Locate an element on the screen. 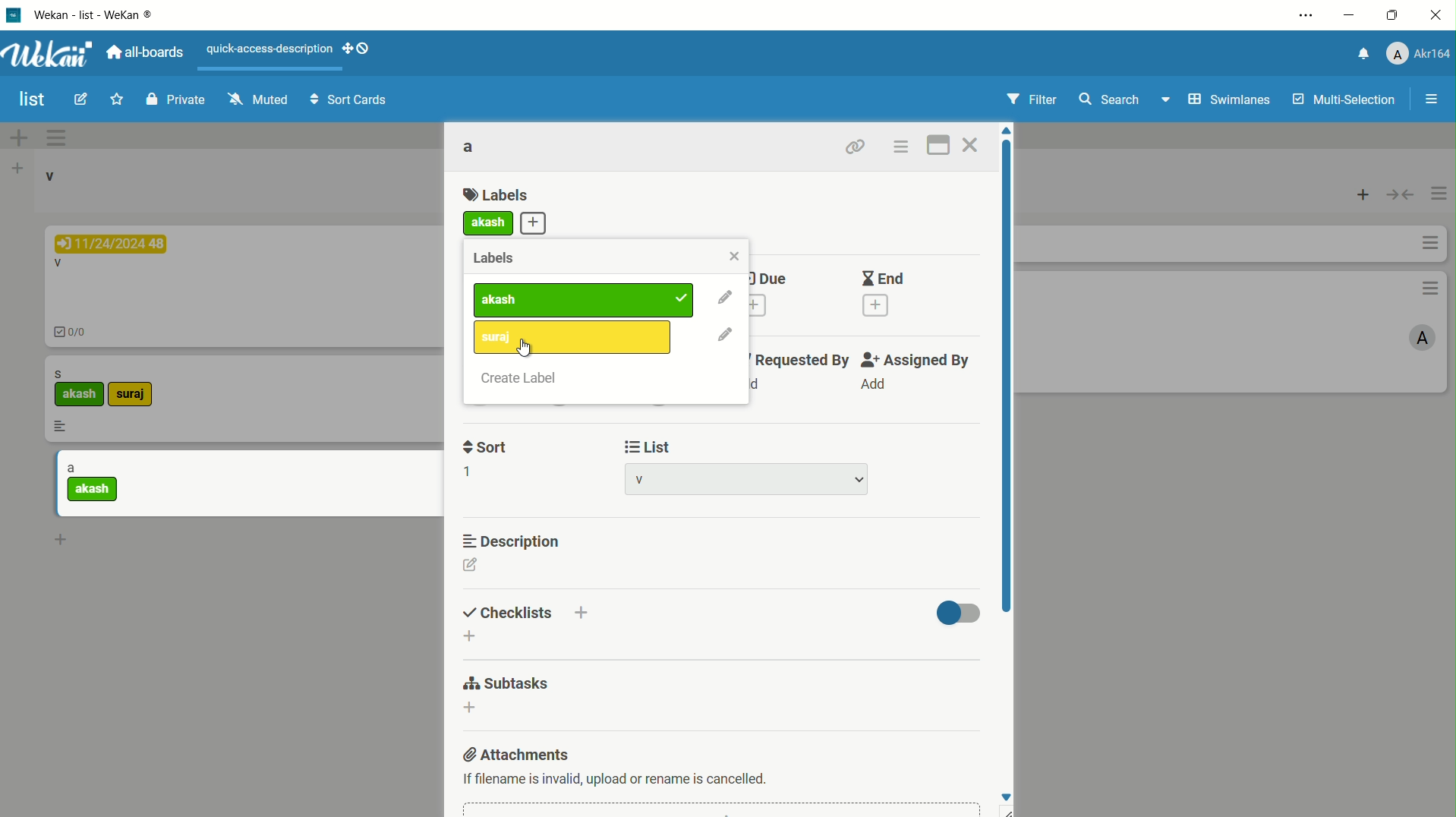 This screenshot has height=817, width=1456. minimize is located at coordinates (1351, 17).